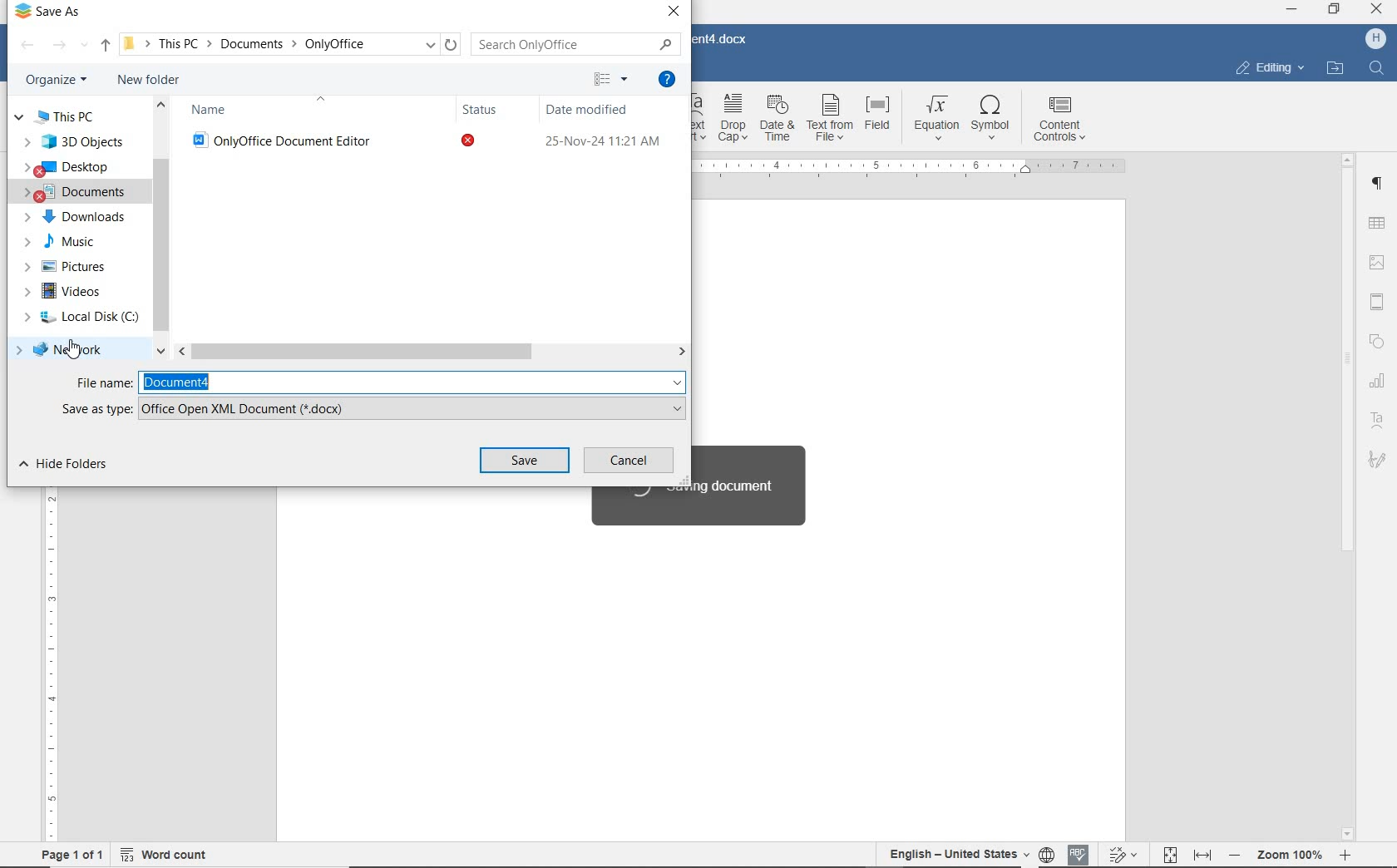  What do you see at coordinates (71, 166) in the screenshot?
I see `DESKTOP` at bounding box center [71, 166].